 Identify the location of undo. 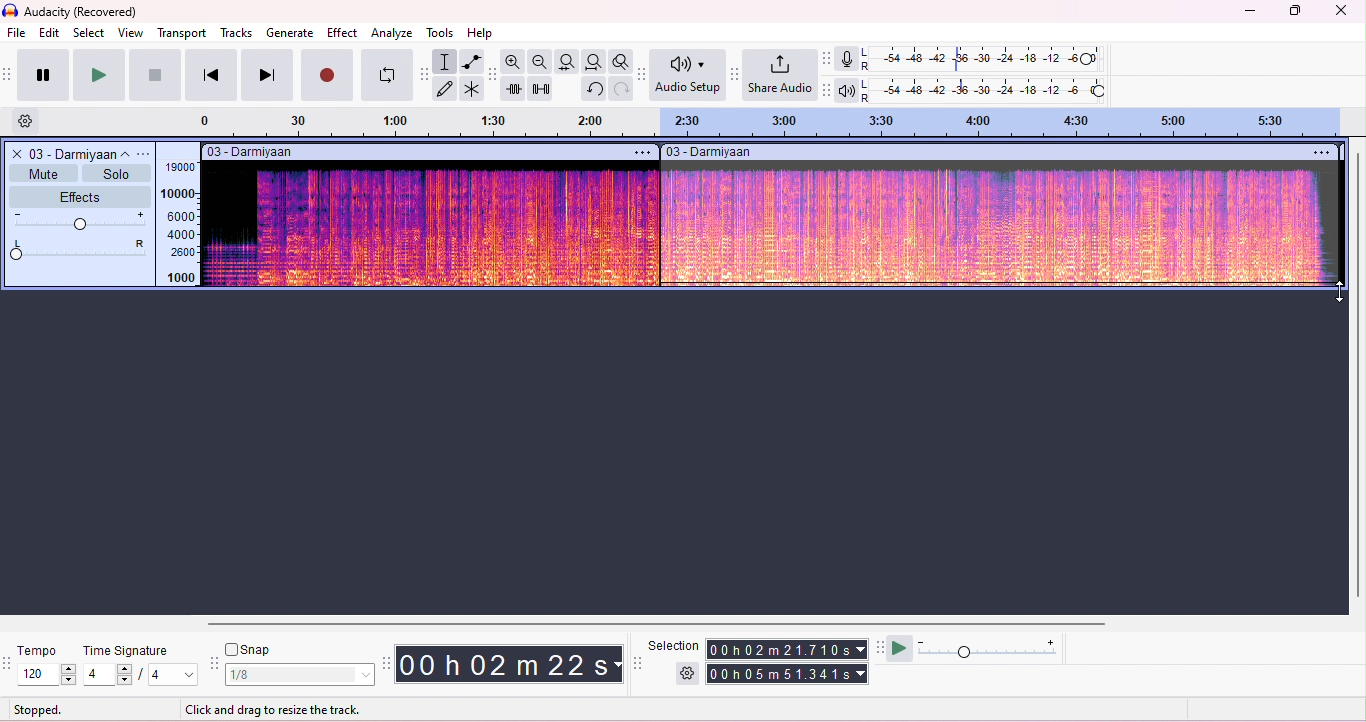
(593, 89).